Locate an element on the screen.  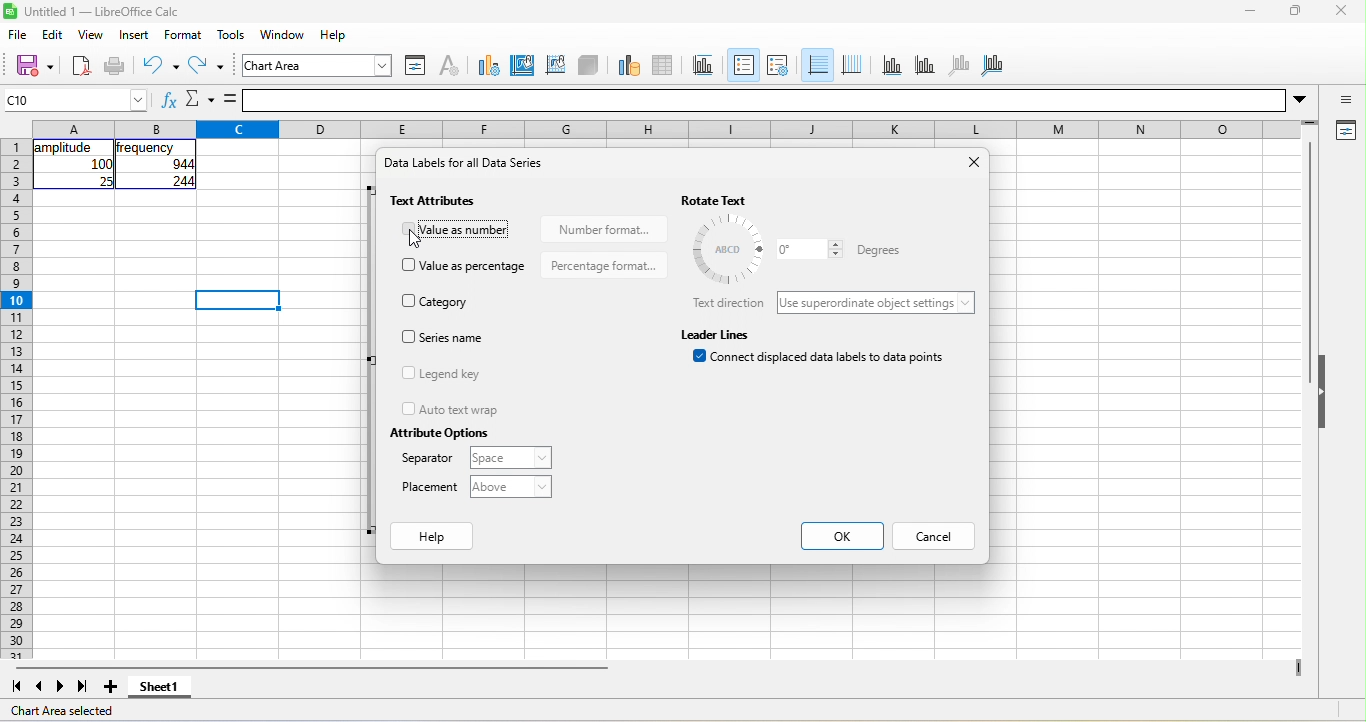
legend key is located at coordinates (451, 375).